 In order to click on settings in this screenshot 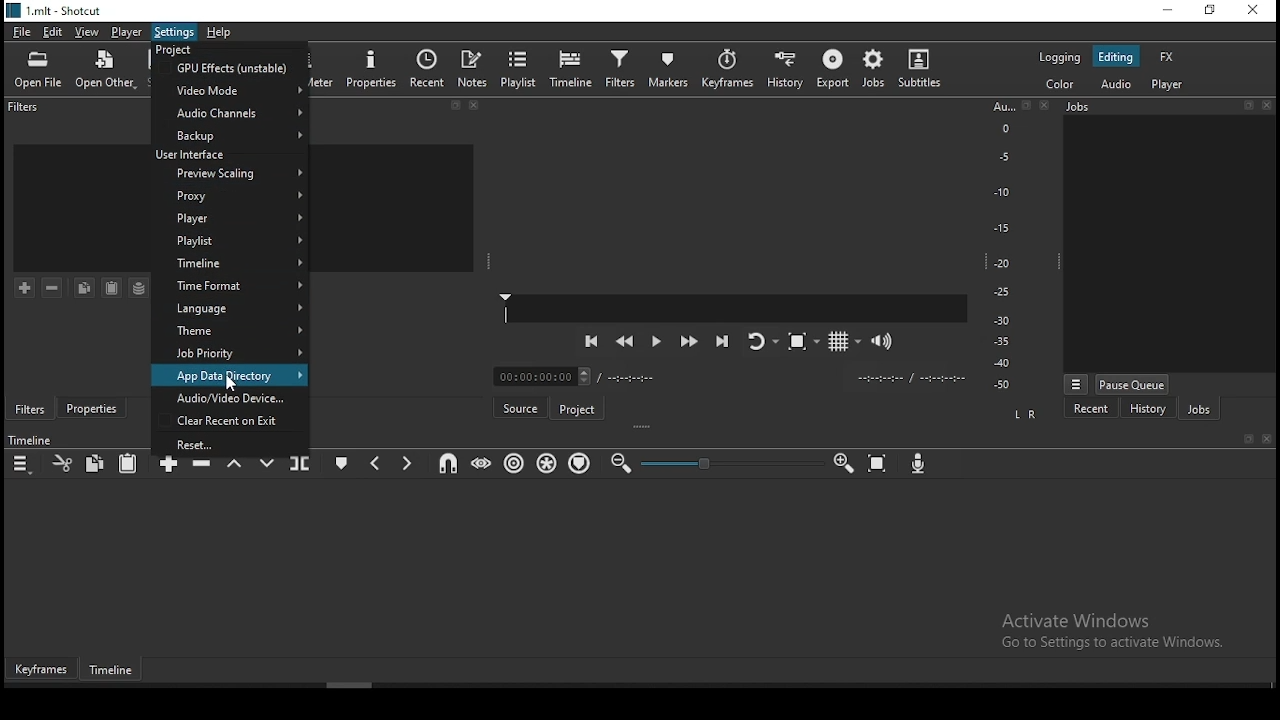, I will do `click(174, 34)`.